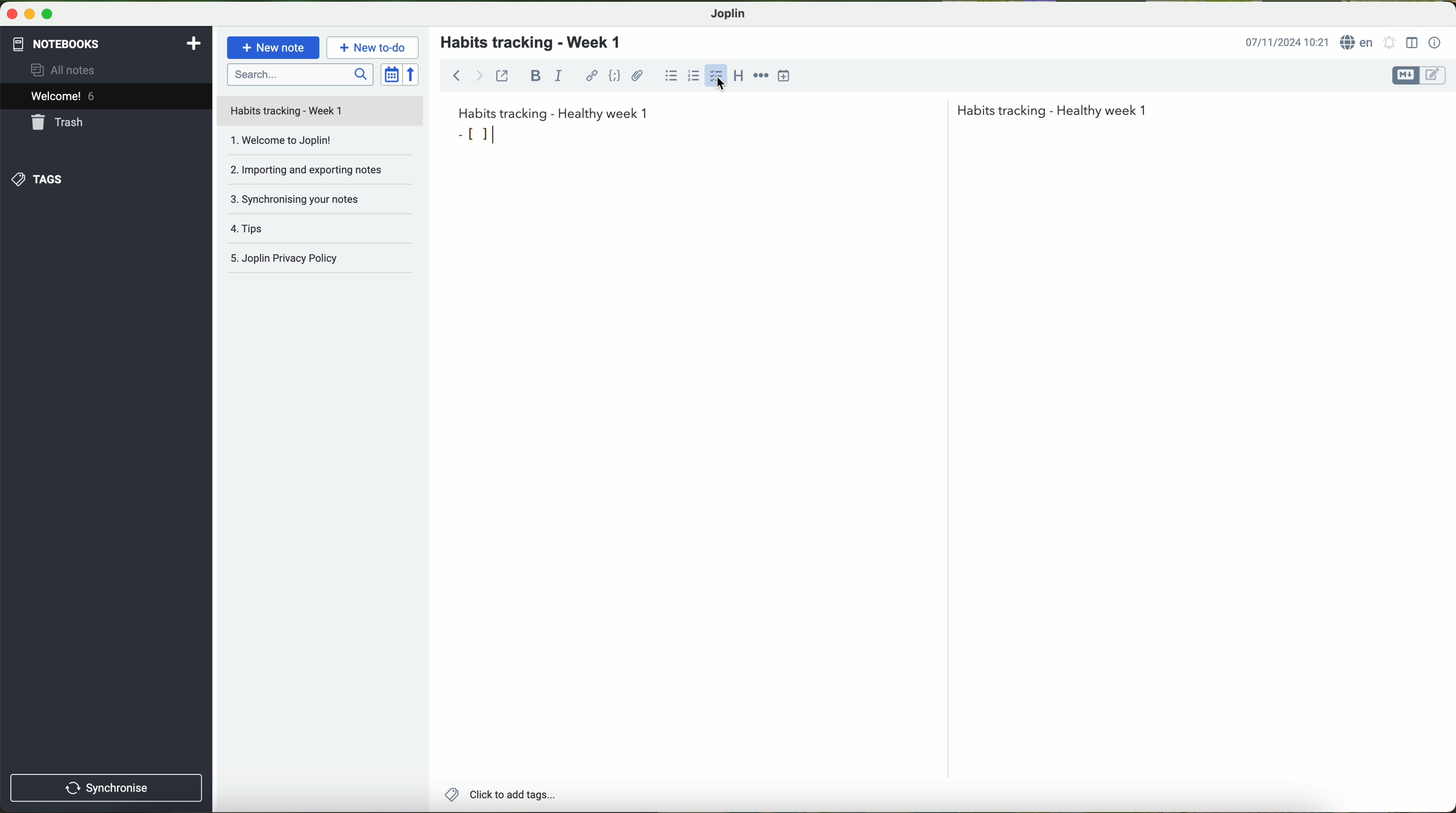  Describe the element at coordinates (536, 76) in the screenshot. I see `bold` at that location.